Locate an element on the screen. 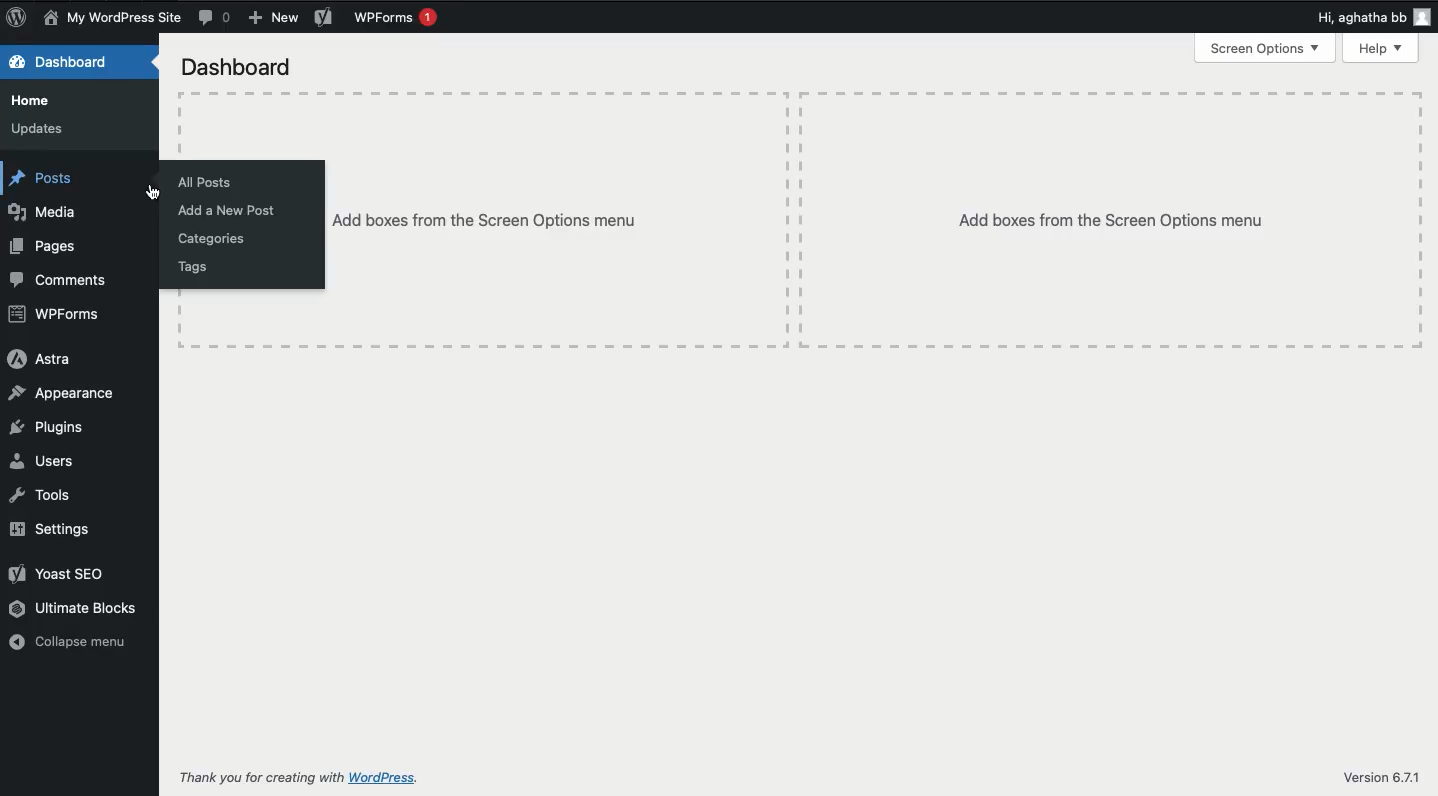 This screenshot has height=796, width=1438. Astra is located at coordinates (44, 361).